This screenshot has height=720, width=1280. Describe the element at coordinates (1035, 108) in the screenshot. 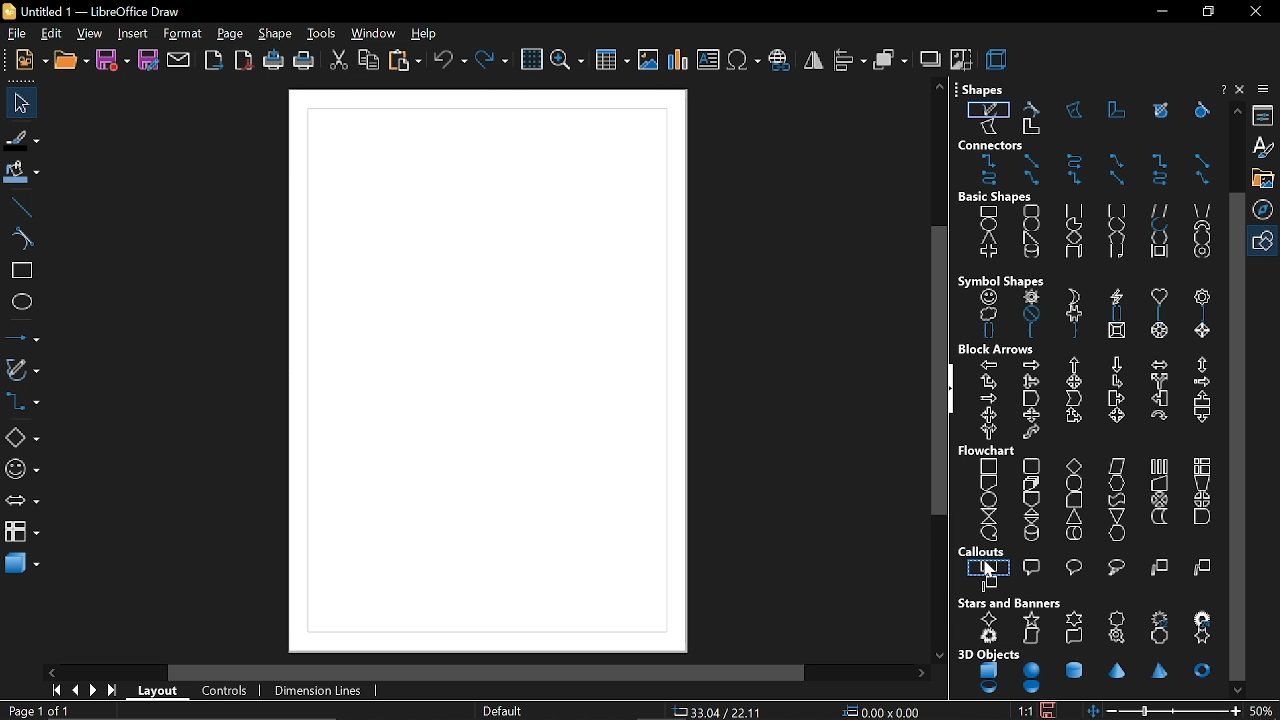

I see `curve` at that location.